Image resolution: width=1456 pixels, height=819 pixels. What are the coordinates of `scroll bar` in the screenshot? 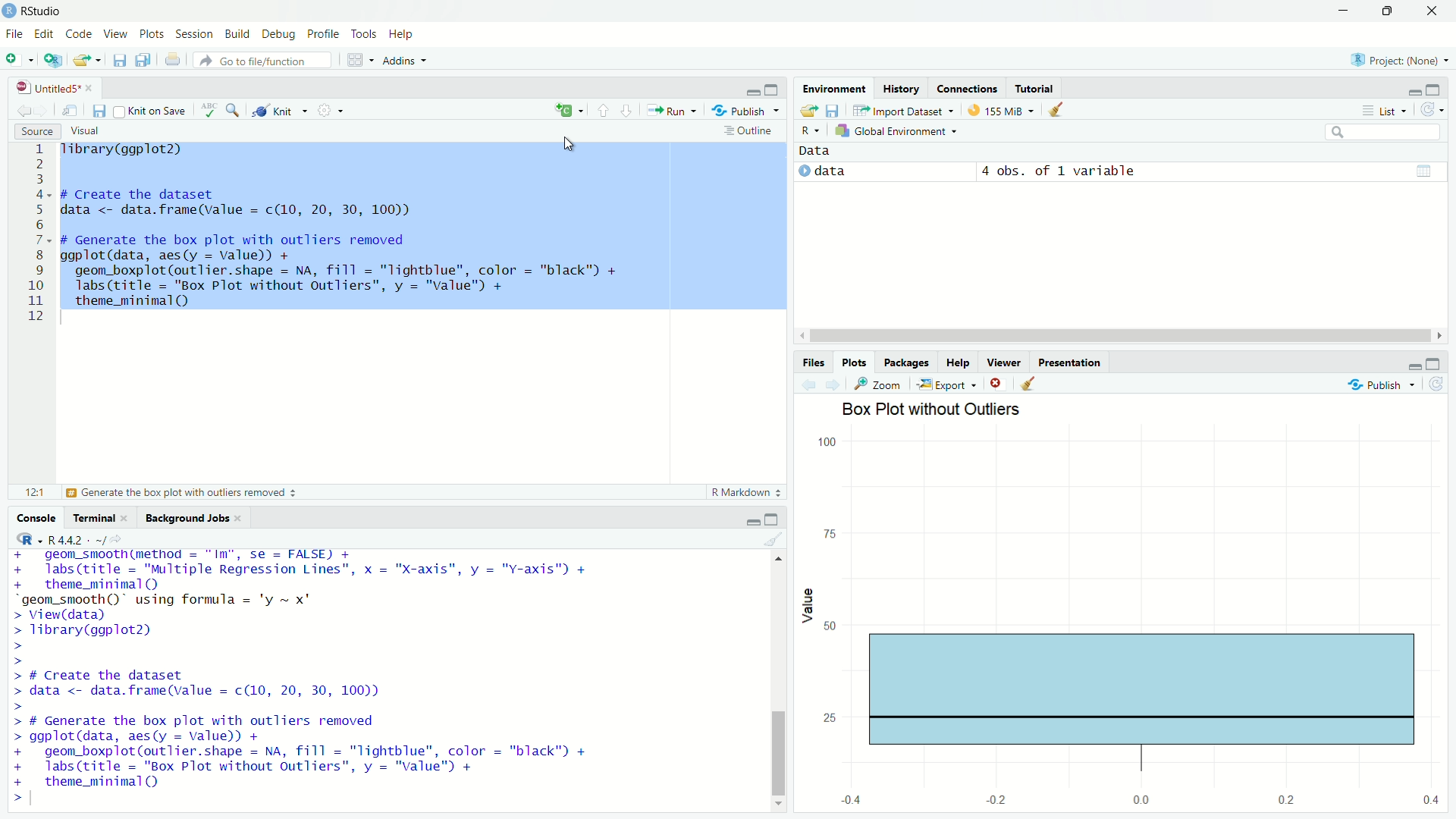 It's located at (777, 676).